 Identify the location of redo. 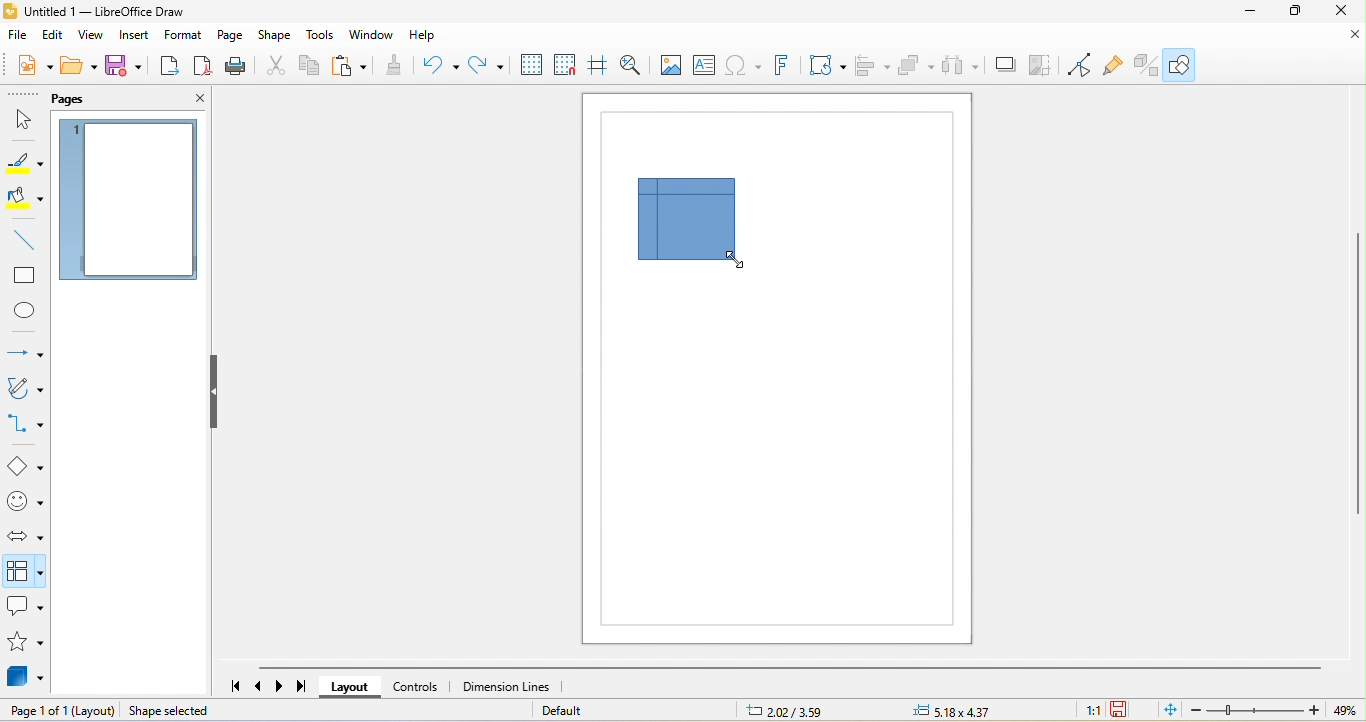
(488, 67).